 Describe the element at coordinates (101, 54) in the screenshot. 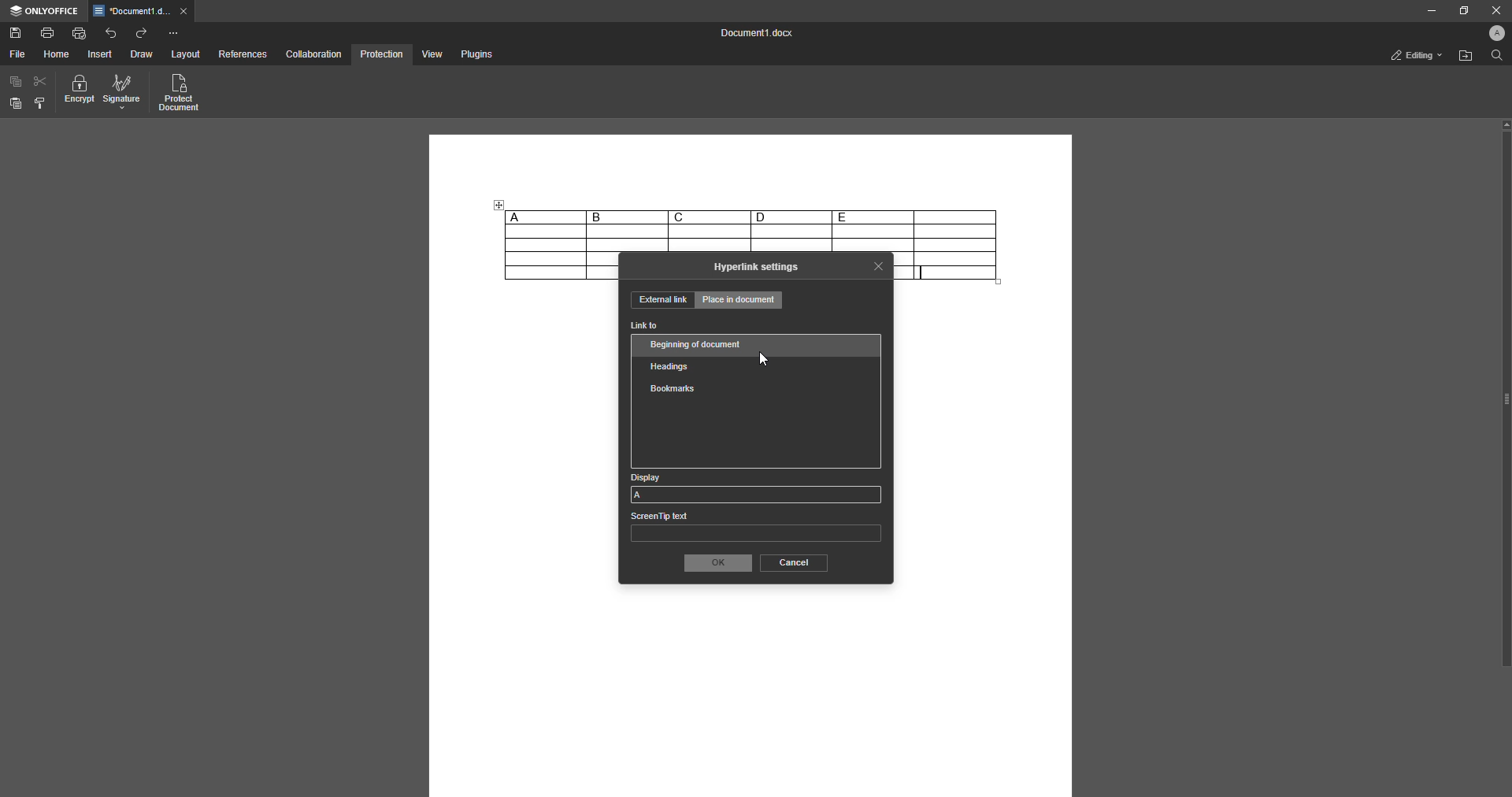

I see `Insert` at that location.